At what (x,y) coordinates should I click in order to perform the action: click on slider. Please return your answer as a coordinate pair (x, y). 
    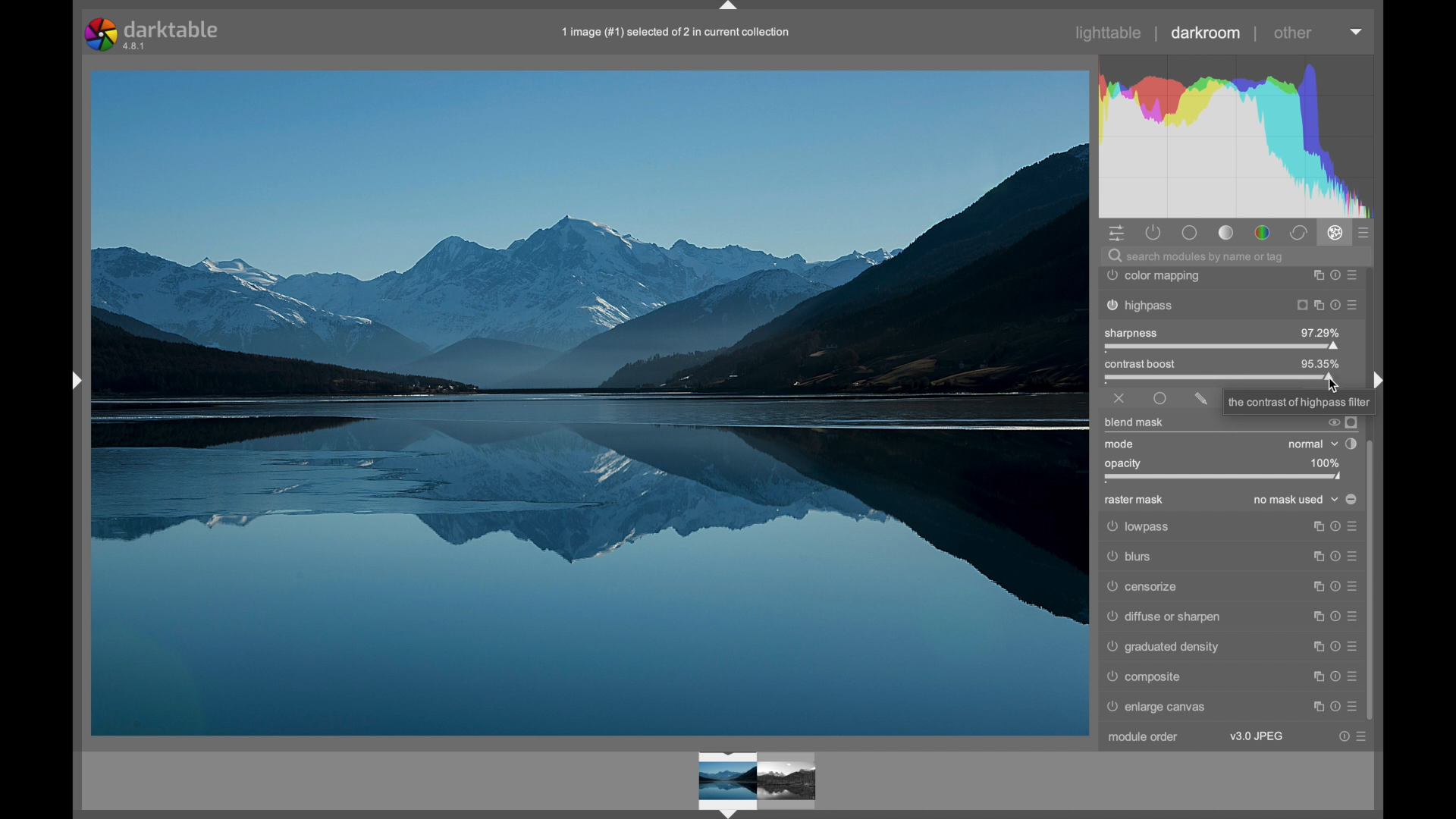
    Looking at the image, I should click on (1219, 378).